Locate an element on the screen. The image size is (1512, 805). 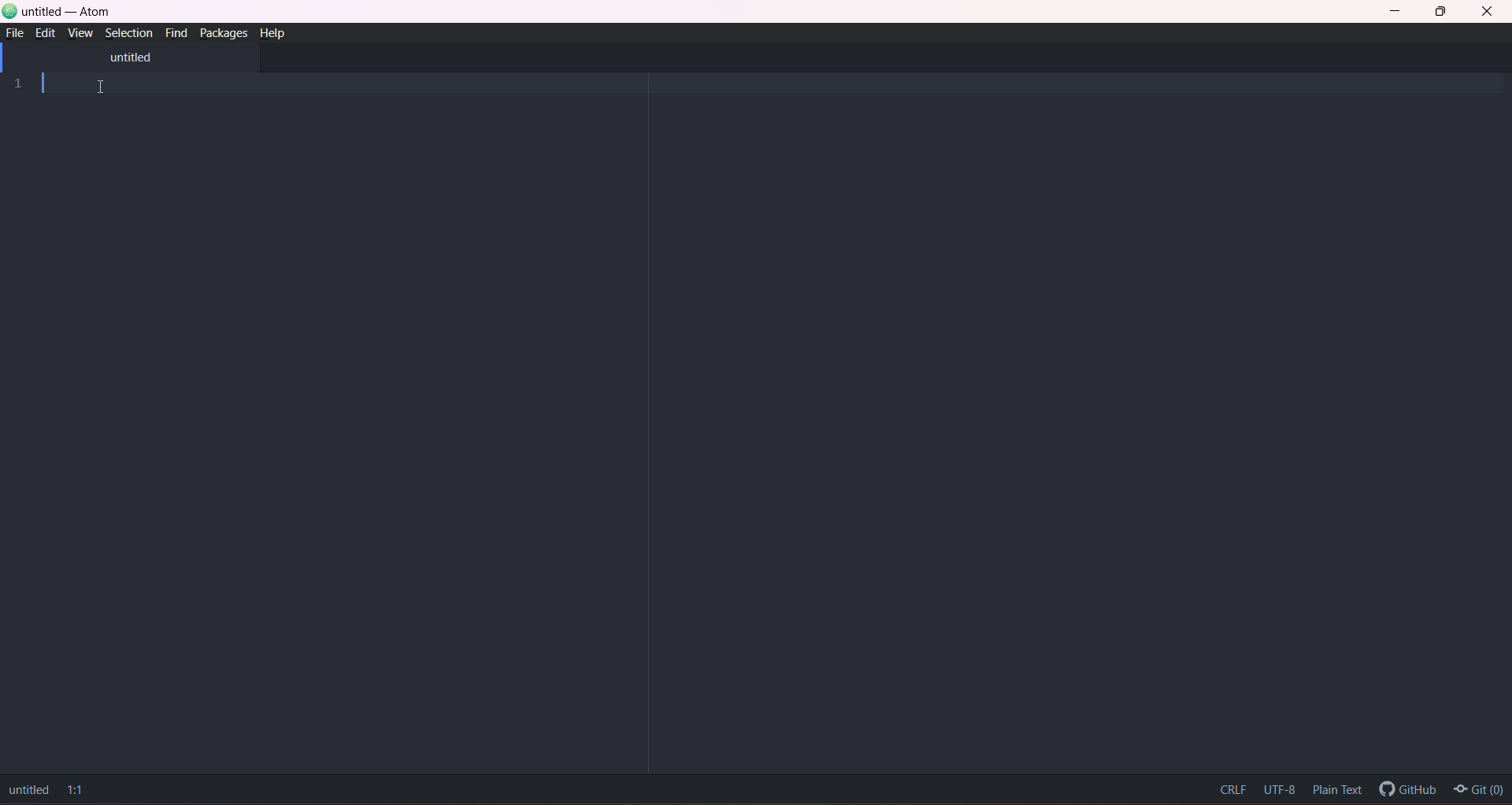
GitHub is located at coordinates (1408, 785).